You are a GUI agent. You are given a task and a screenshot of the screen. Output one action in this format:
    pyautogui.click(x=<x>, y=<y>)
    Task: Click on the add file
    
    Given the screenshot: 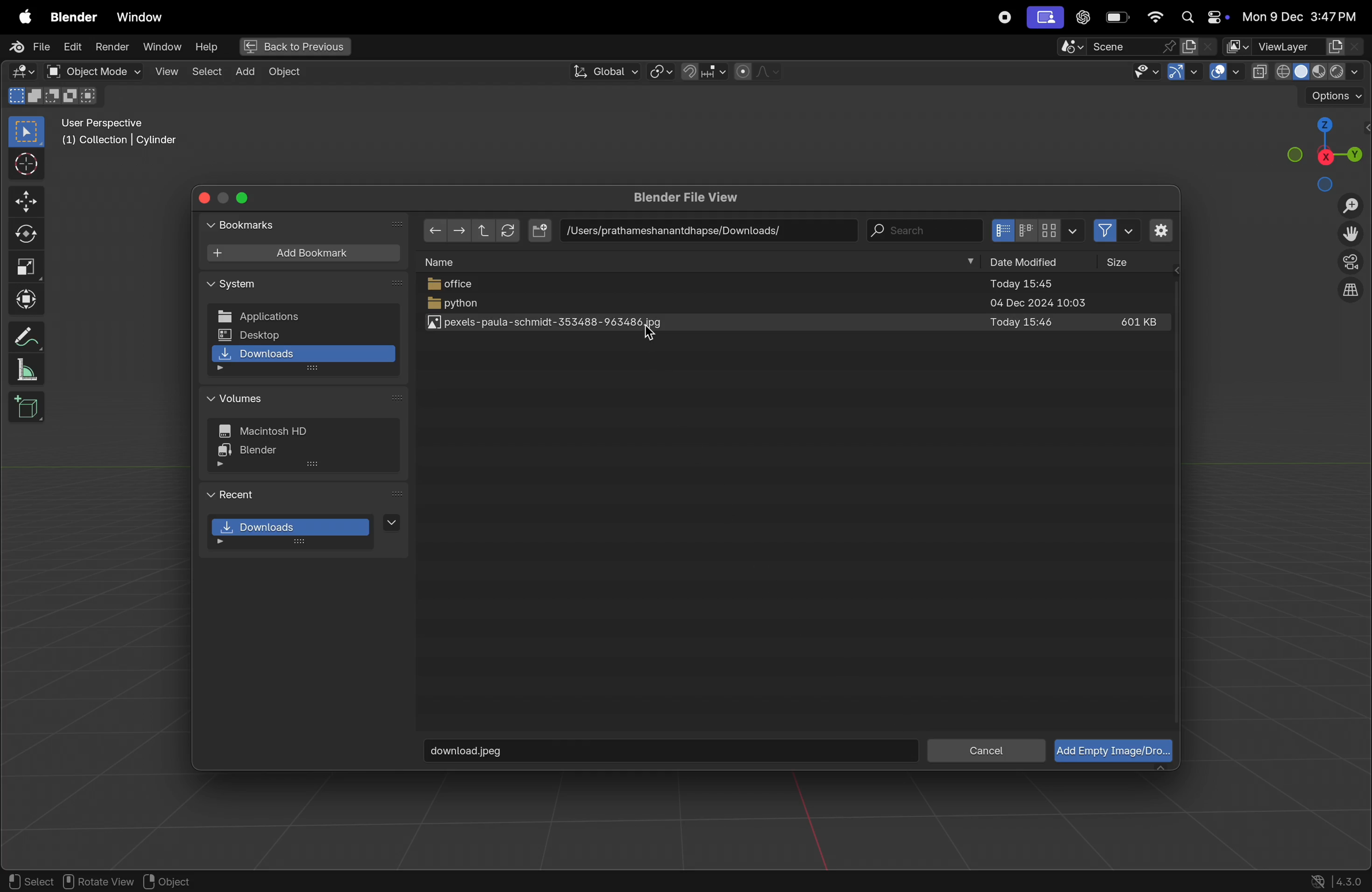 What is the action you would take?
    pyautogui.click(x=540, y=230)
    